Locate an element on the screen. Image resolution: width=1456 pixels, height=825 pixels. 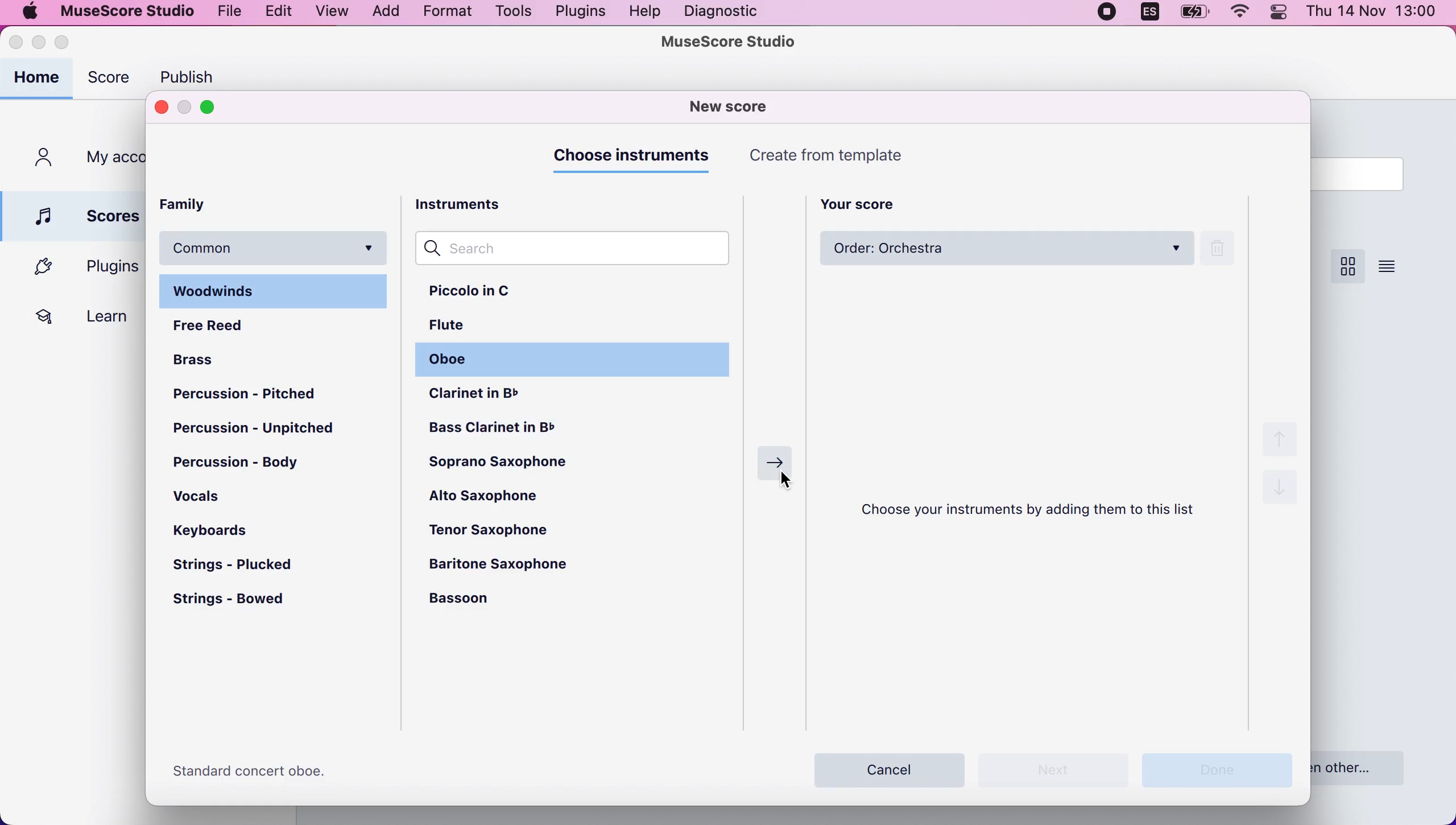
search is located at coordinates (584, 250).